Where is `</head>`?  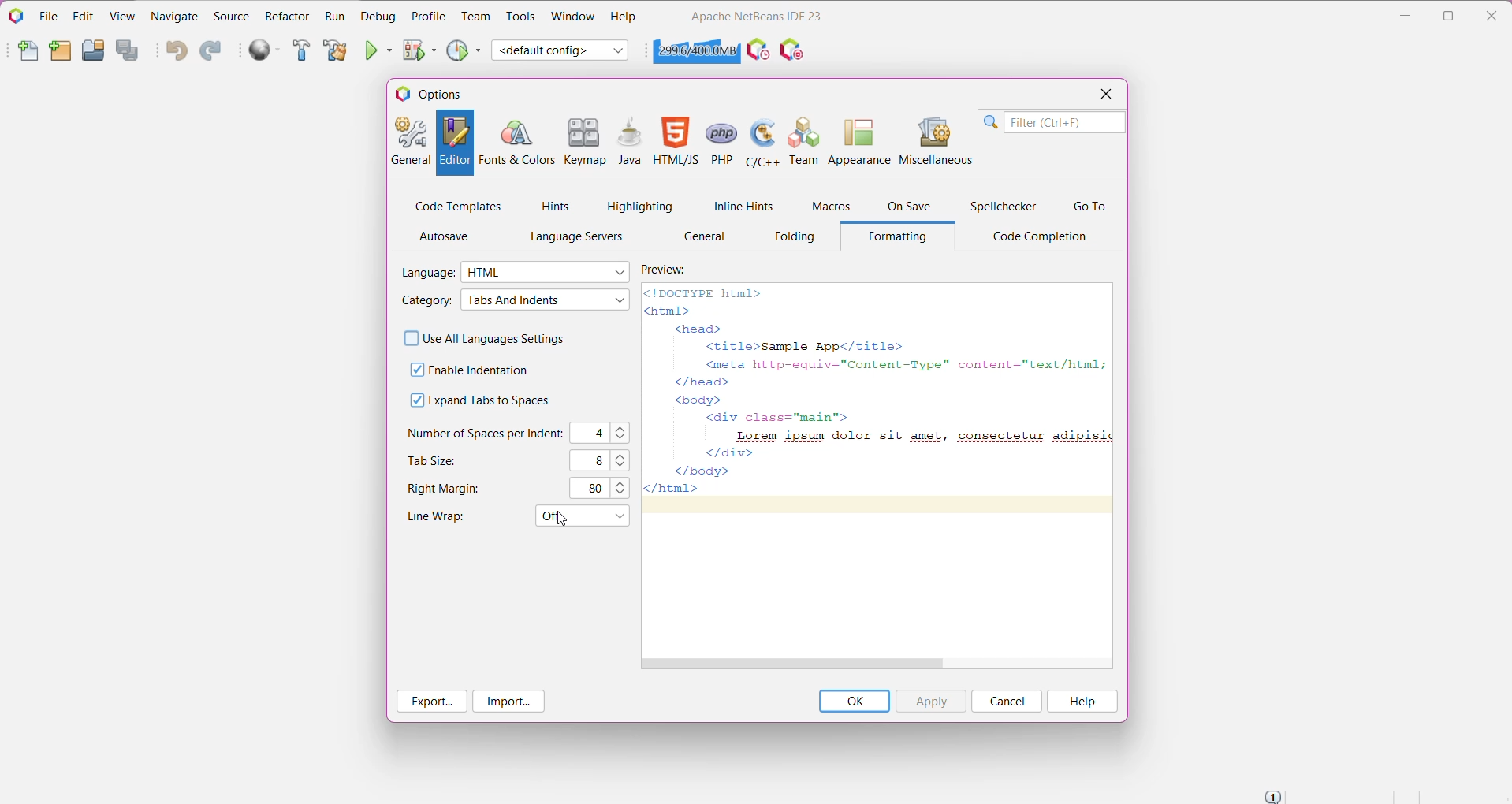 </head> is located at coordinates (696, 381).